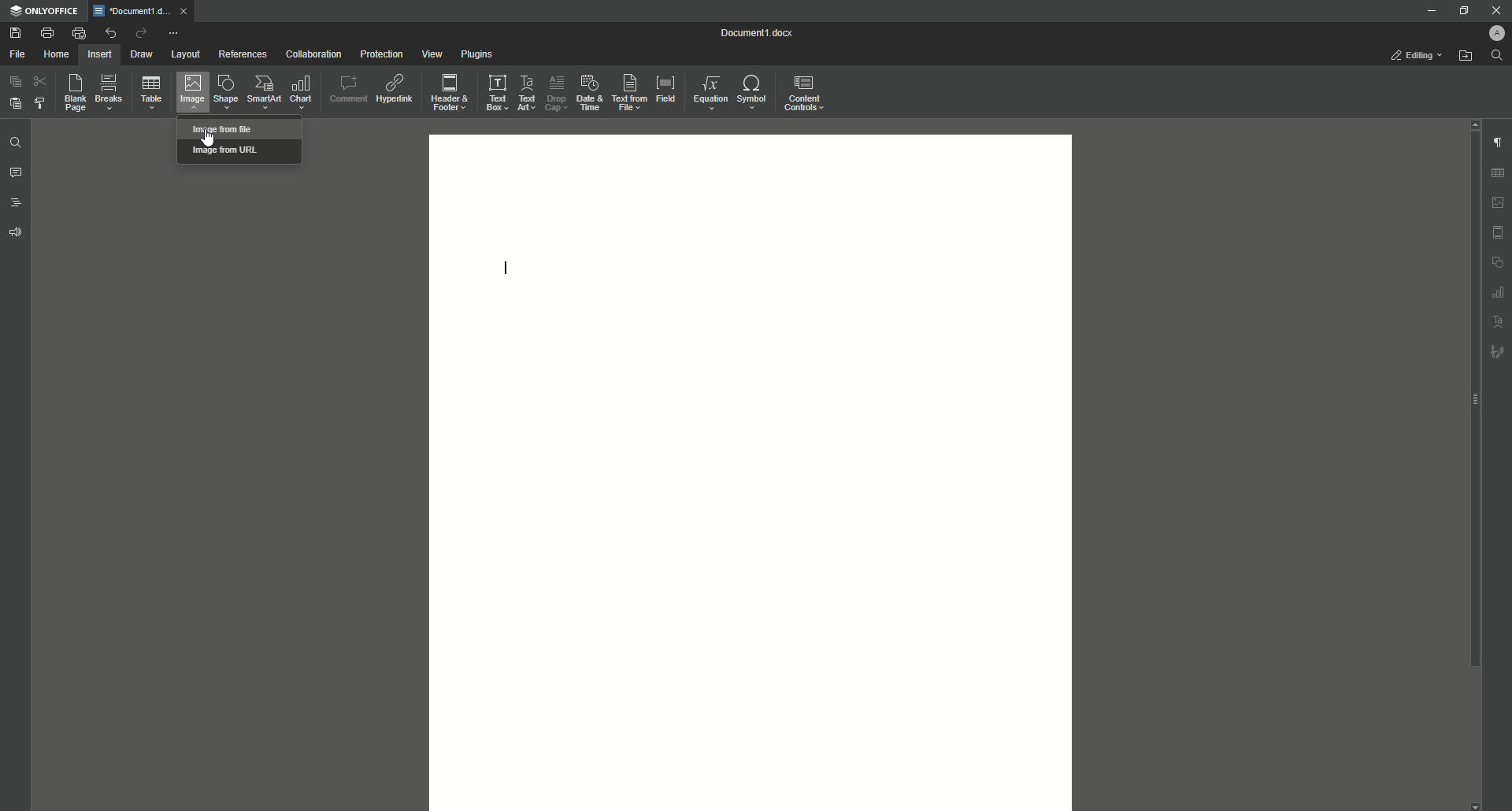 The image size is (1512, 811). I want to click on Date and Time, so click(588, 93).